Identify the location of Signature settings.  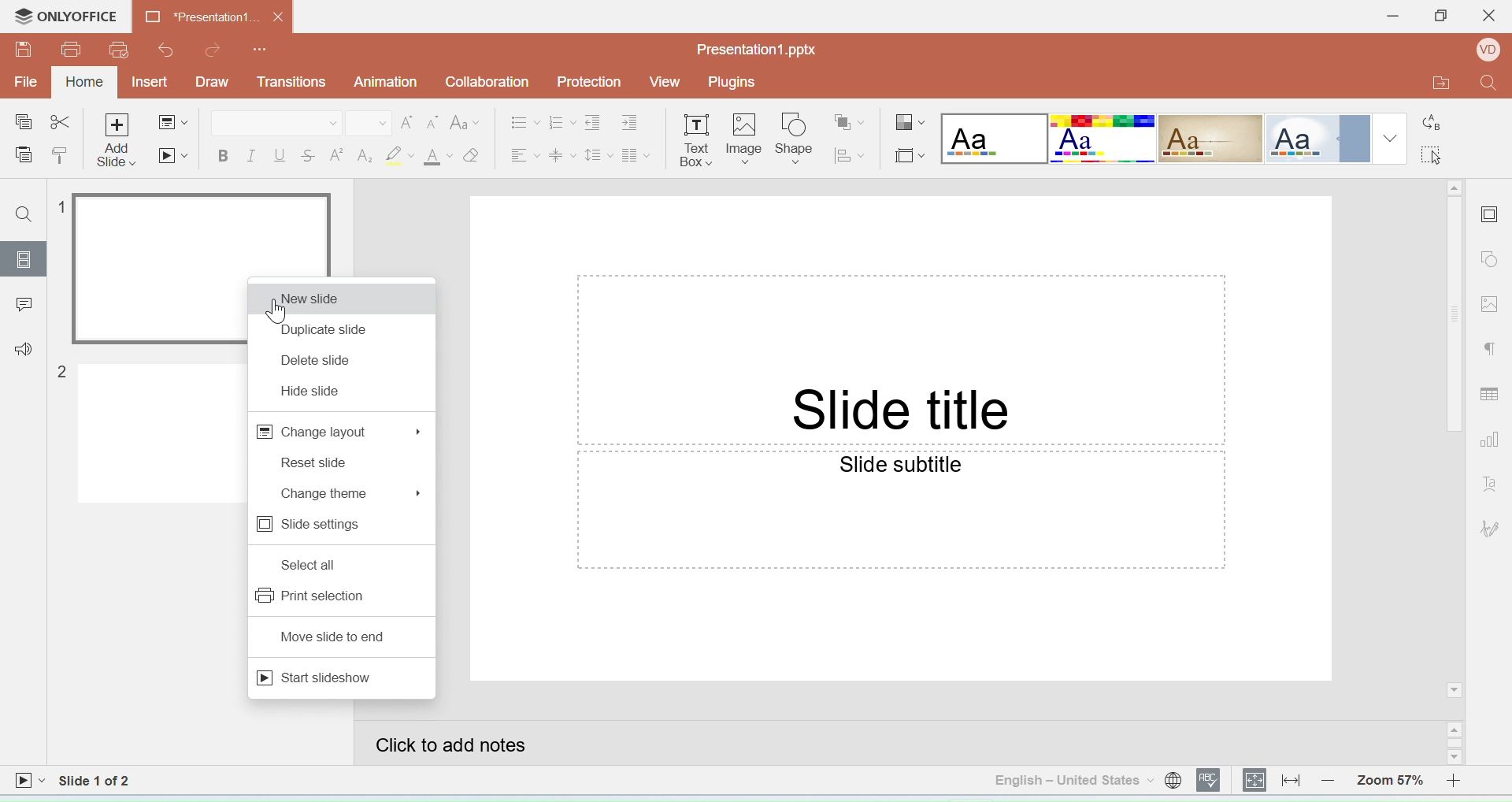
(1492, 528).